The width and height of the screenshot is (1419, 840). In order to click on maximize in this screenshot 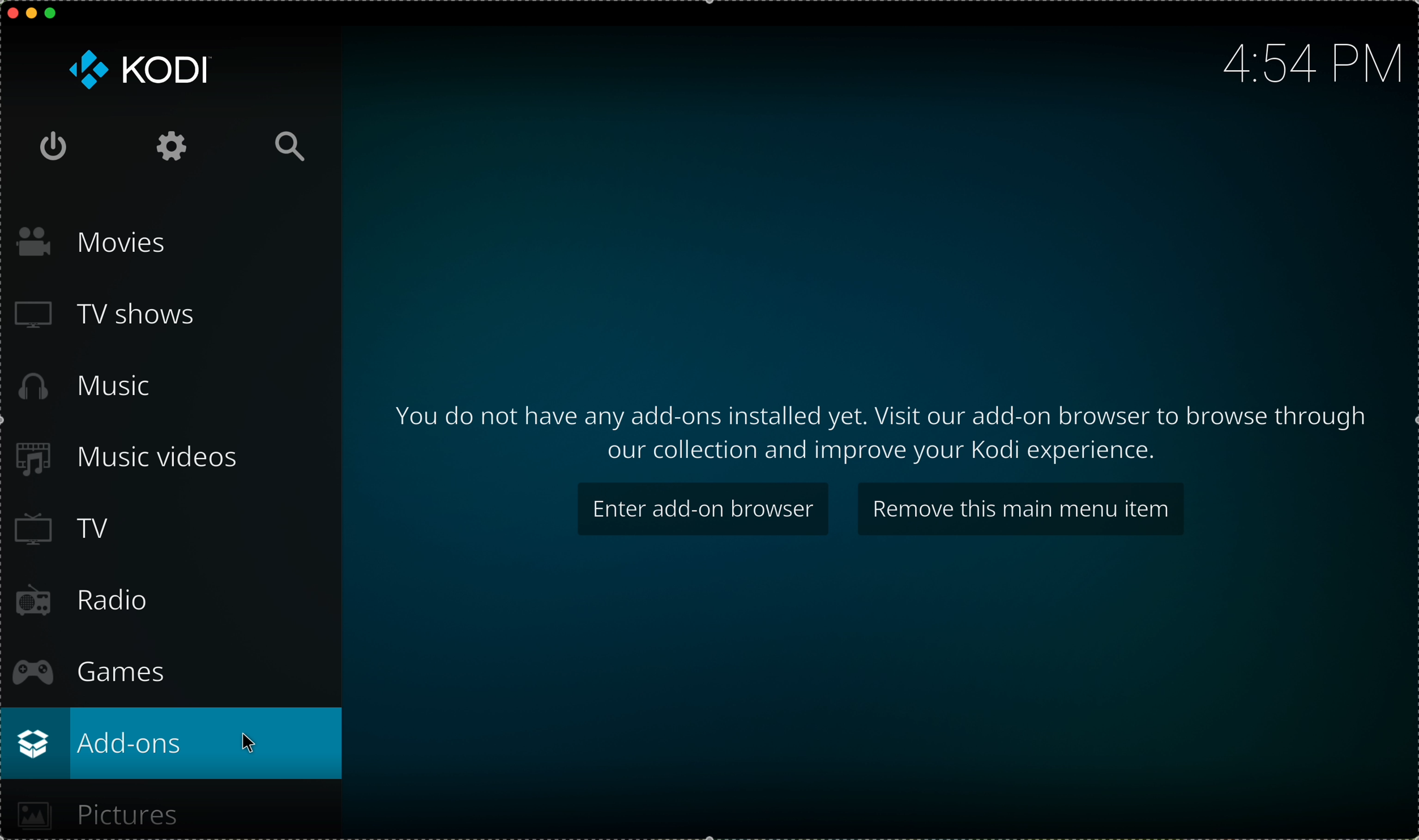, I will do `click(52, 13)`.